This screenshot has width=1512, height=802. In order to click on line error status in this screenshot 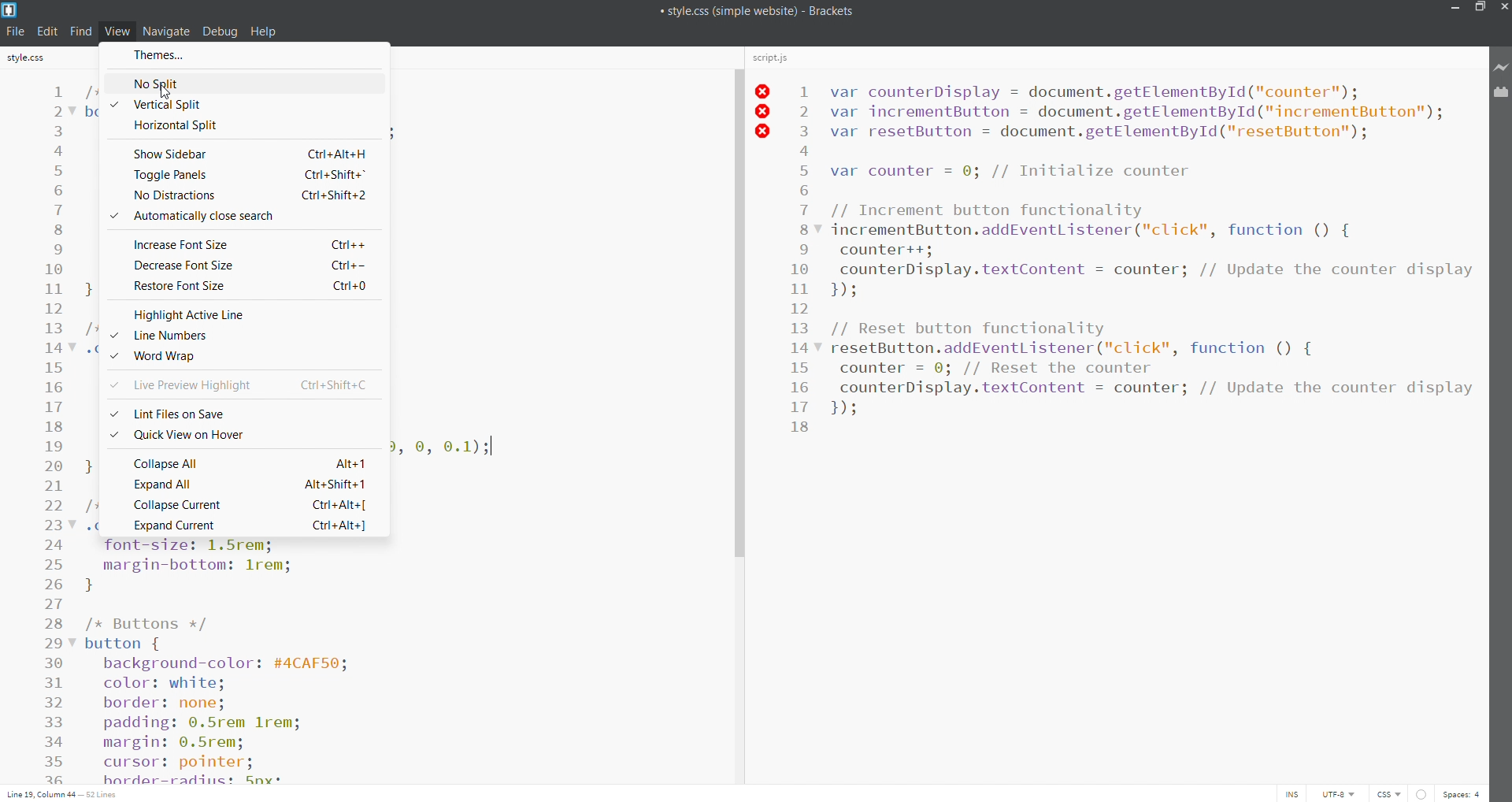, I will do `click(764, 113)`.